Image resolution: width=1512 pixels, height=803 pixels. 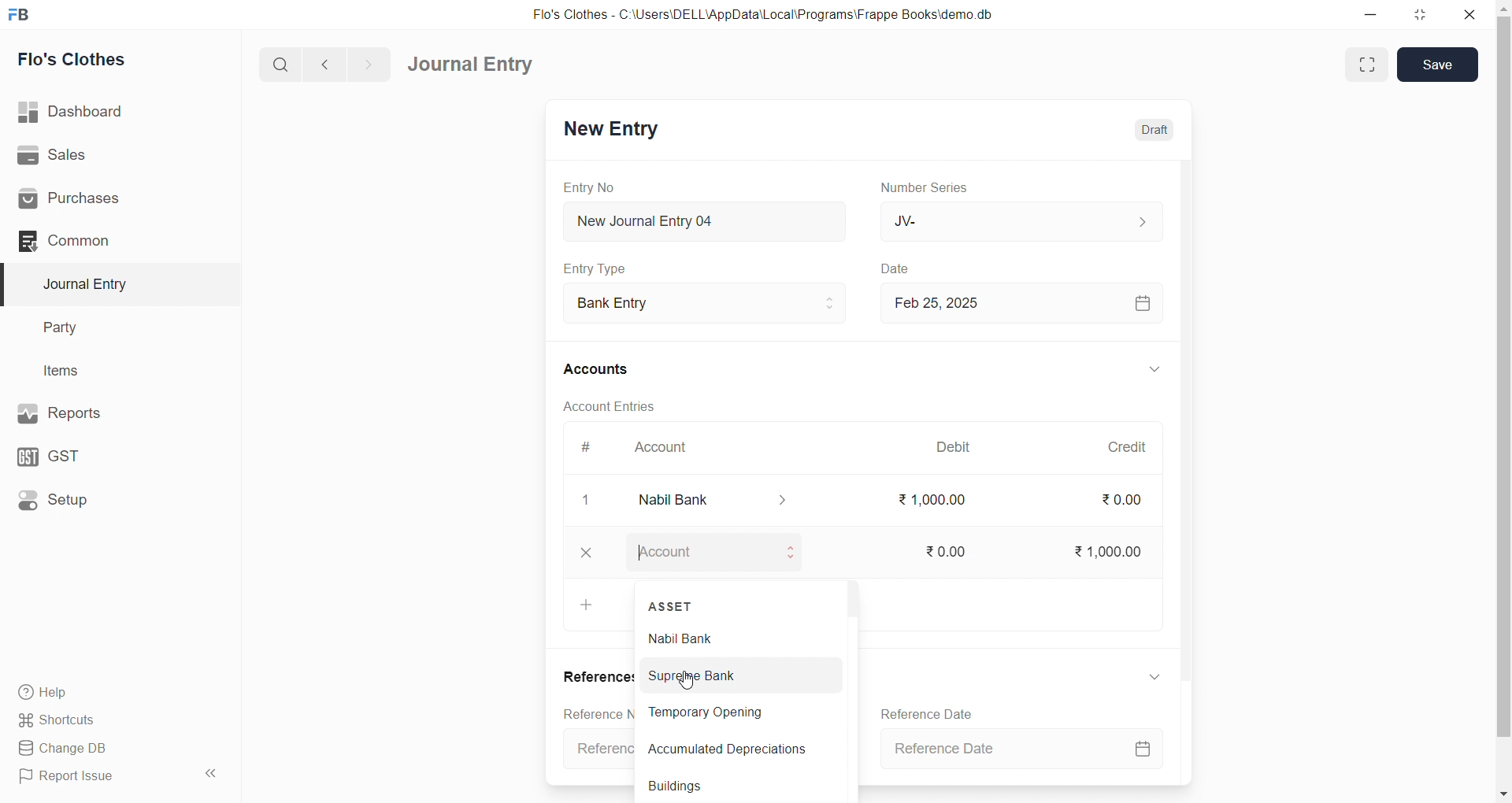 What do you see at coordinates (595, 677) in the screenshot?
I see `References` at bounding box center [595, 677].